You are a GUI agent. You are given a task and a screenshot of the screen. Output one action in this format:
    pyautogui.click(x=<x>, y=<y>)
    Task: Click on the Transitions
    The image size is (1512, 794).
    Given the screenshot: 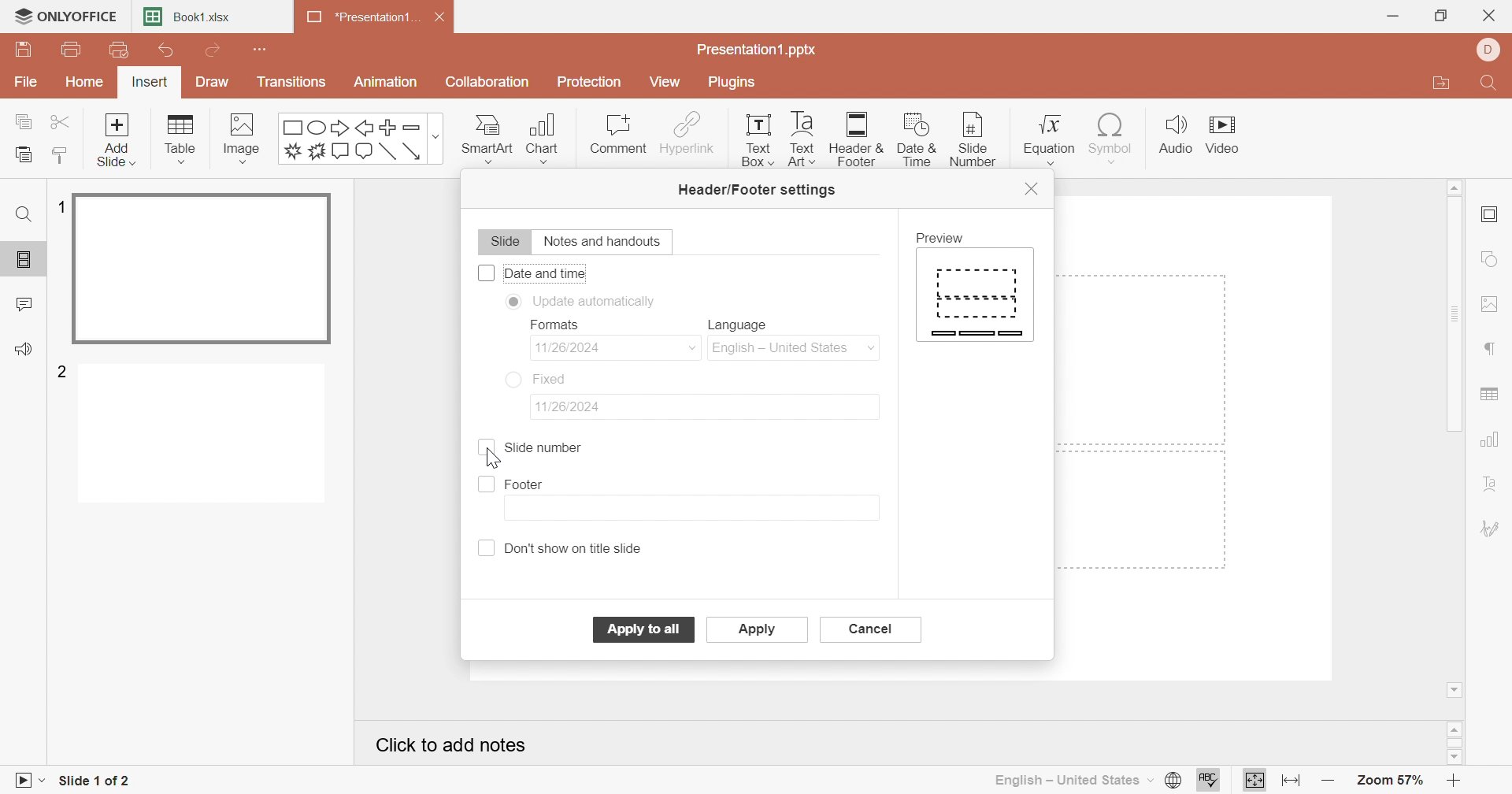 What is the action you would take?
    pyautogui.click(x=292, y=82)
    